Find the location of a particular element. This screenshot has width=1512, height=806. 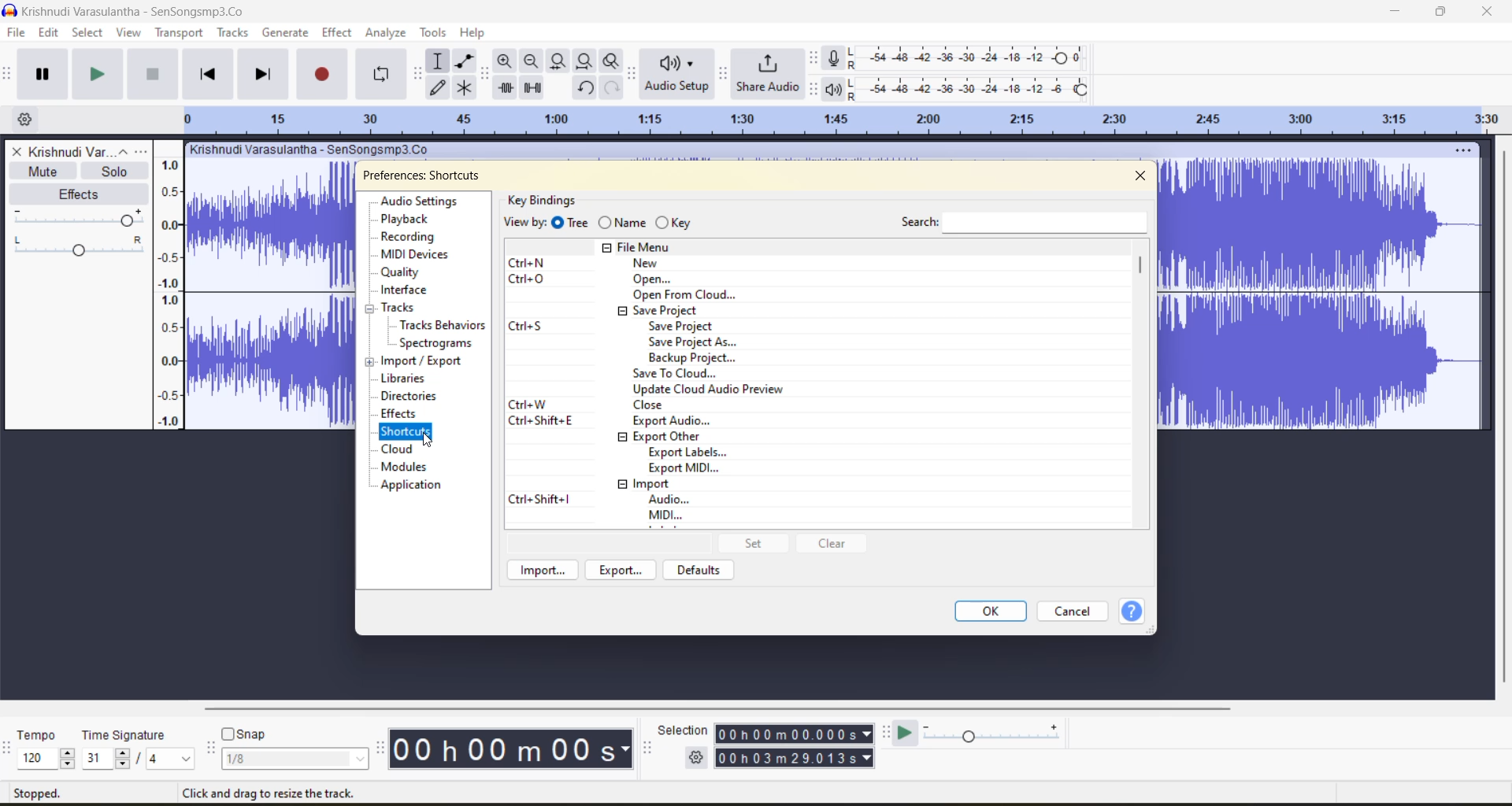

record meter is located at coordinates (836, 58).